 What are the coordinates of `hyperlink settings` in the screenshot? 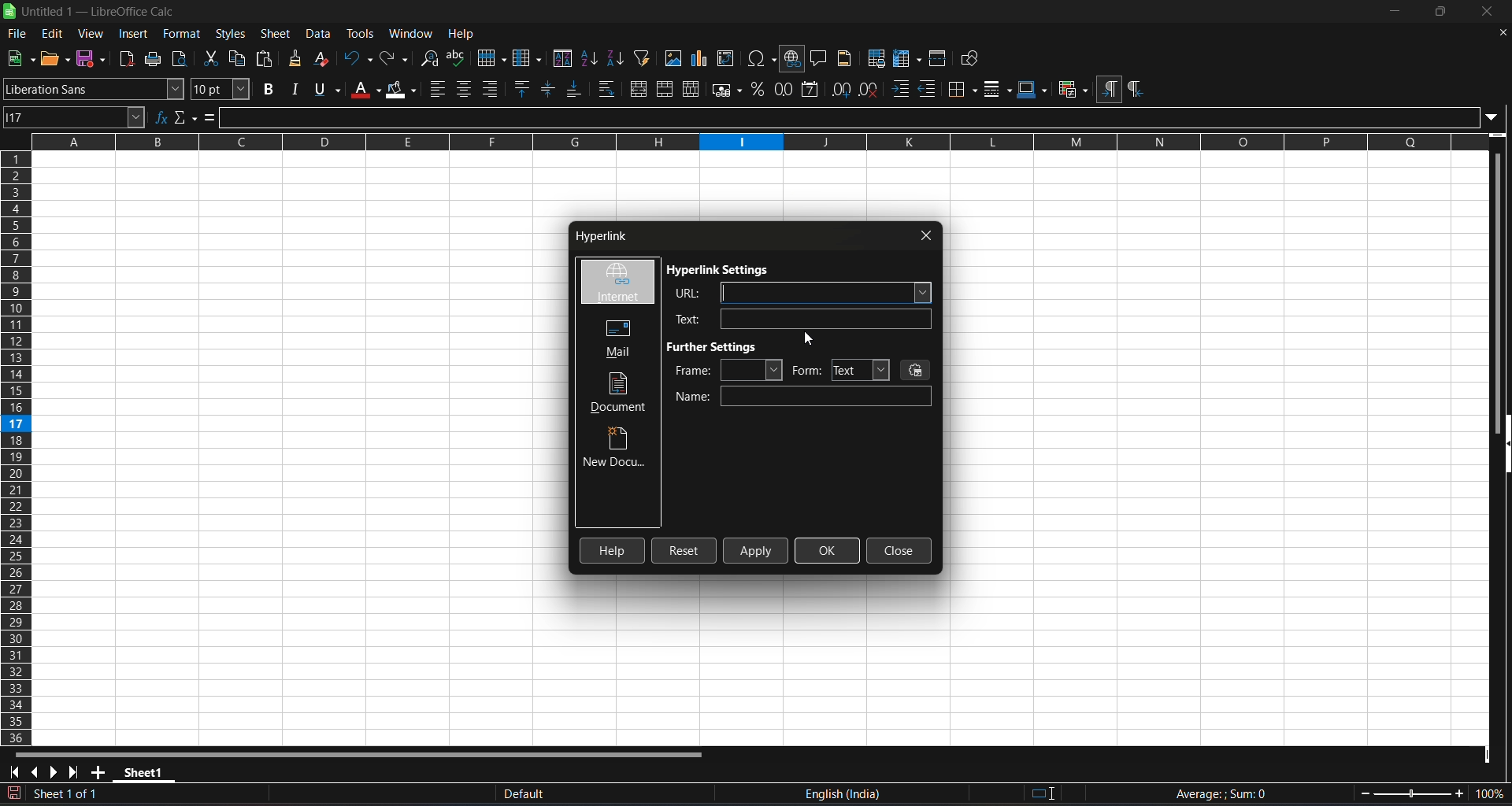 It's located at (721, 271).